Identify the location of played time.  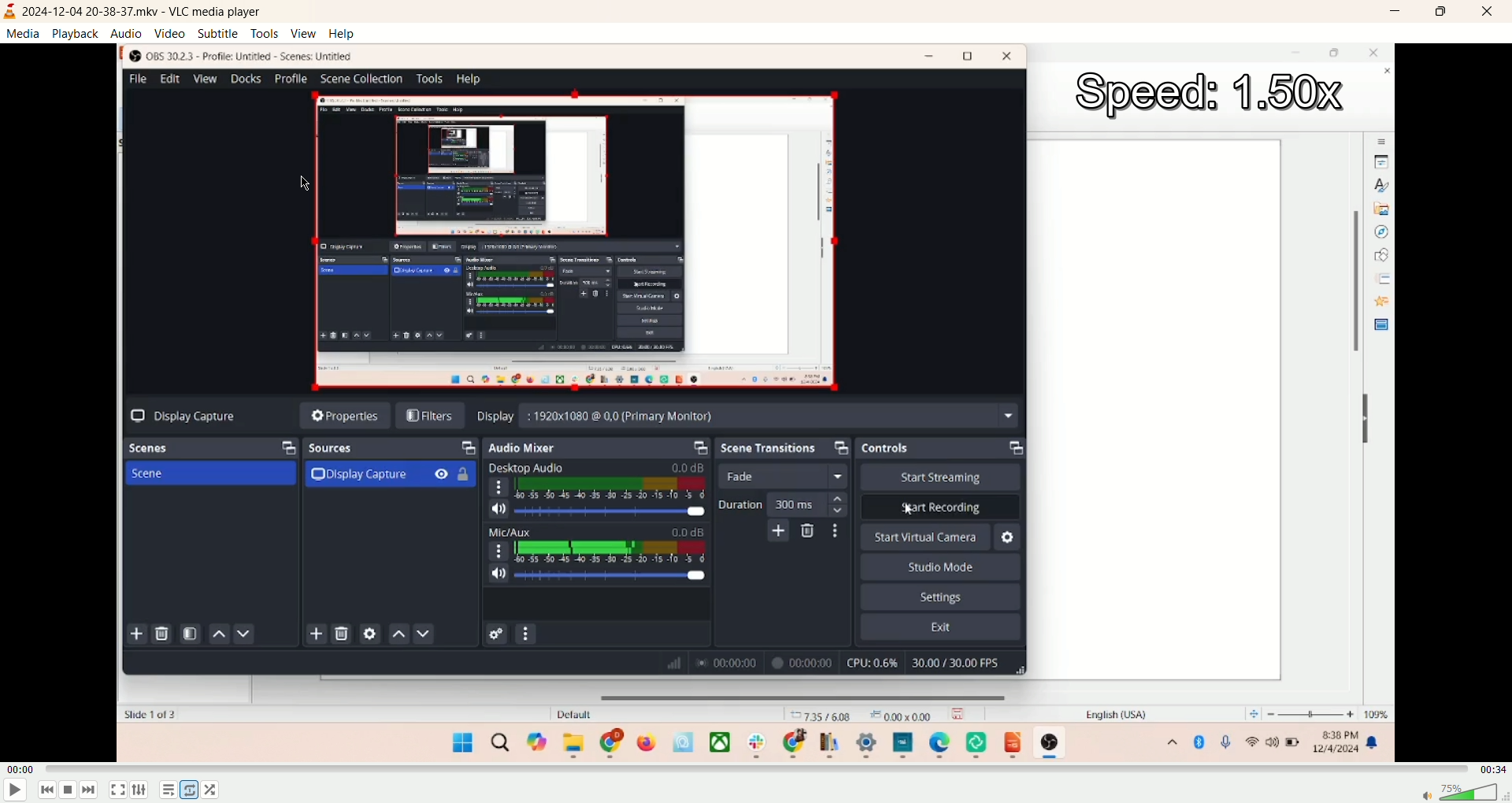
(23, 768).